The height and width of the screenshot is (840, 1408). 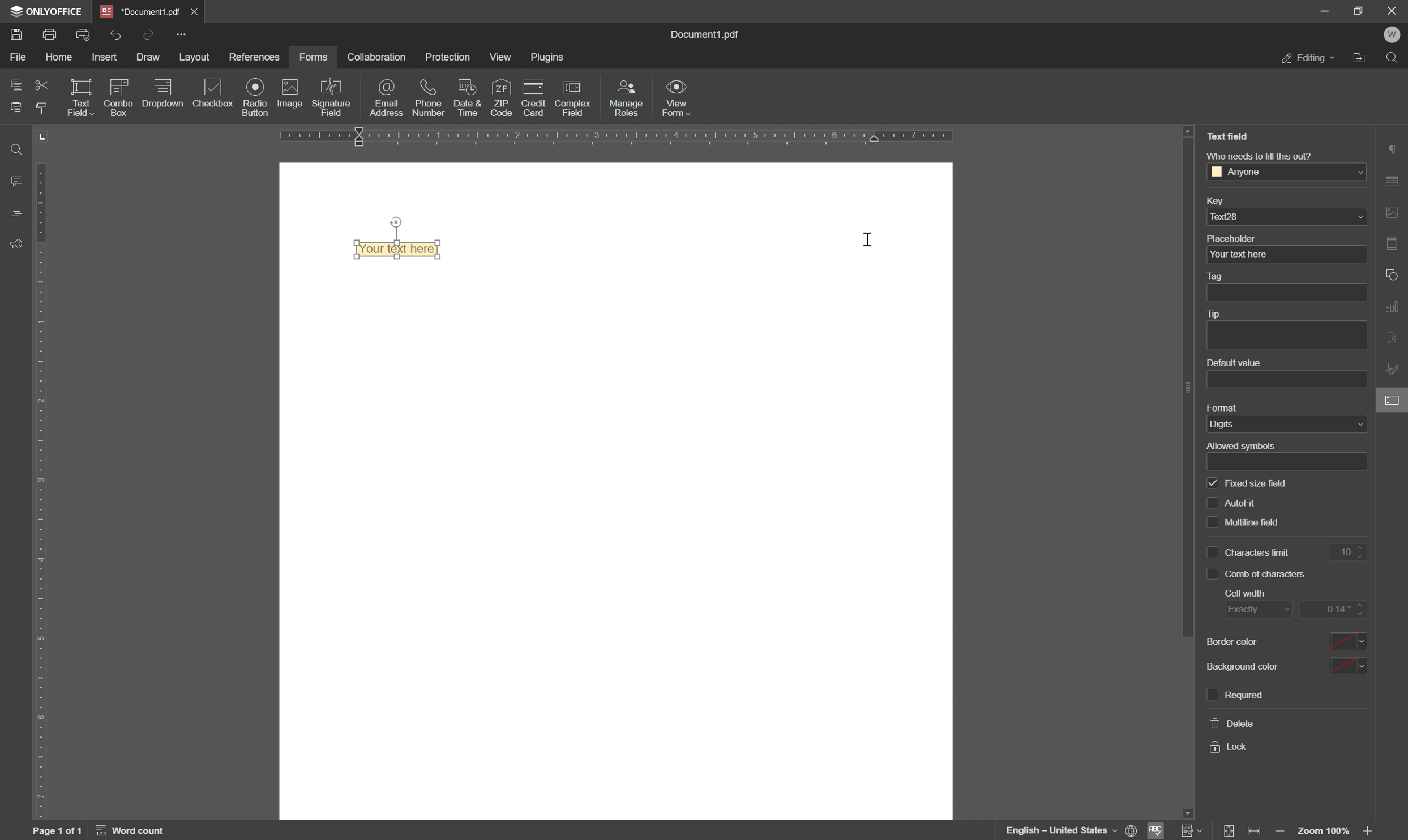 What do you see at coordinates (56, 831) in the screenshot?
I see `page 1 of 1` at bounding box center [56, 831].